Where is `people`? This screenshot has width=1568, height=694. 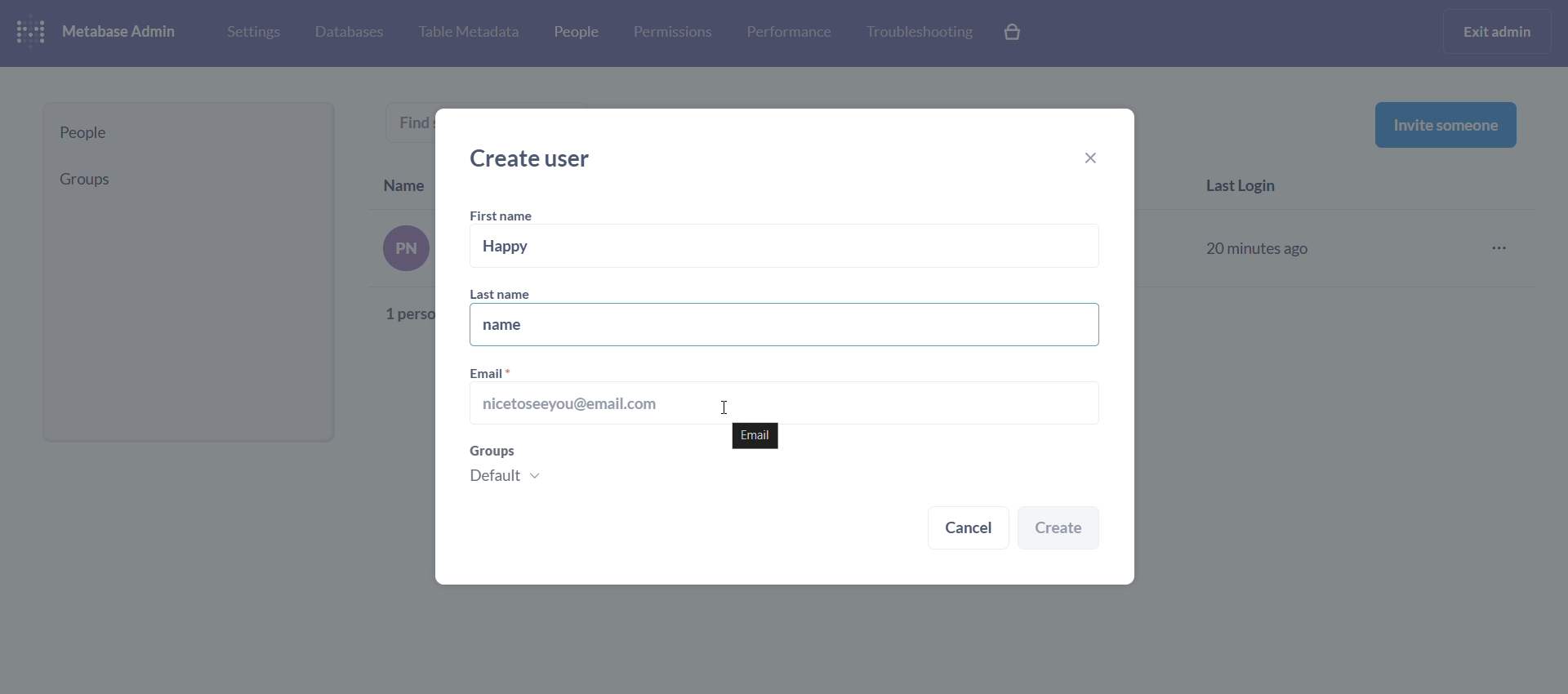 people is located at coordinates (189, 133).